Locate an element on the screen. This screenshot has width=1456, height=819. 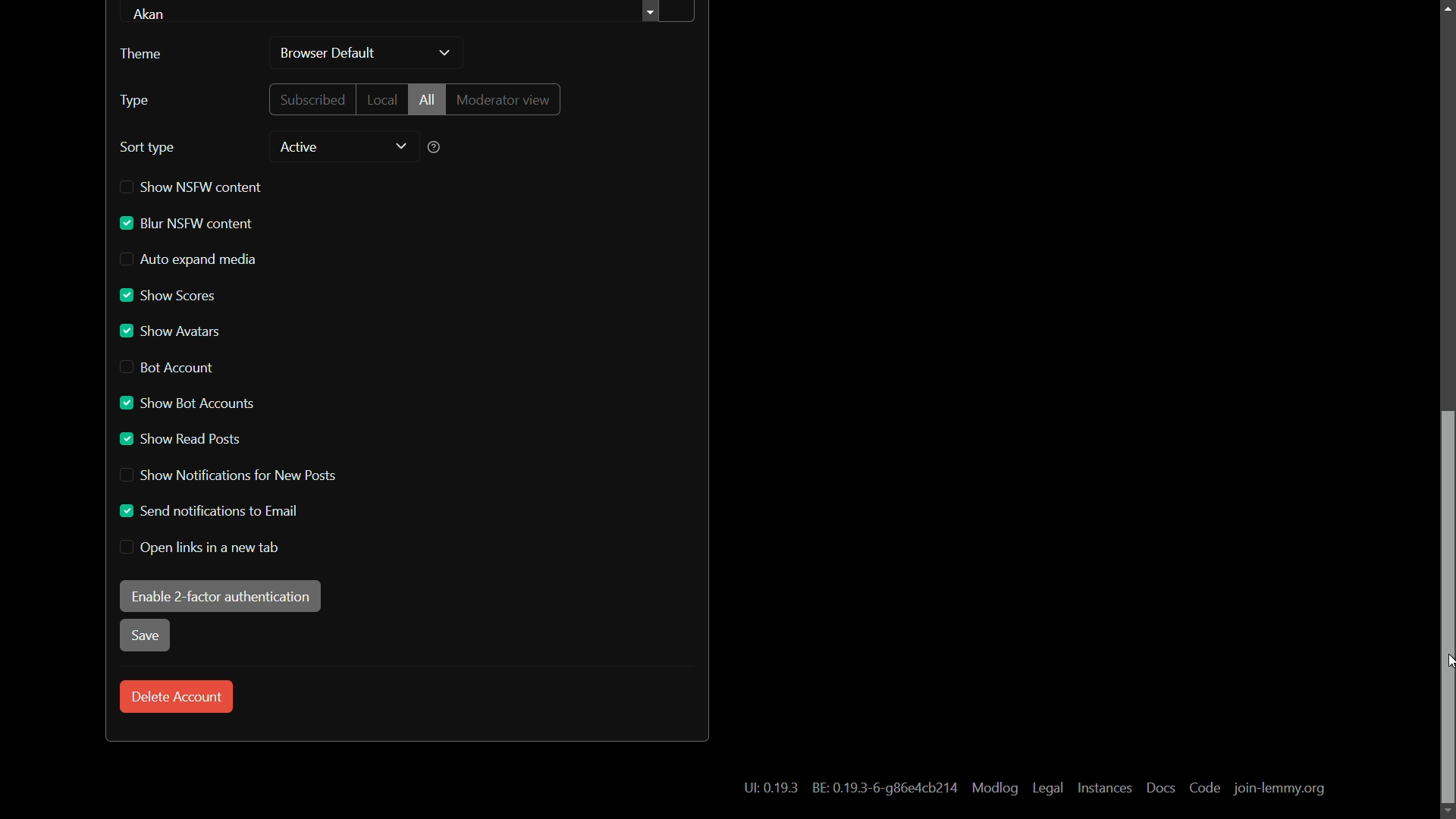
modlog is located at coordinates (993, 789).